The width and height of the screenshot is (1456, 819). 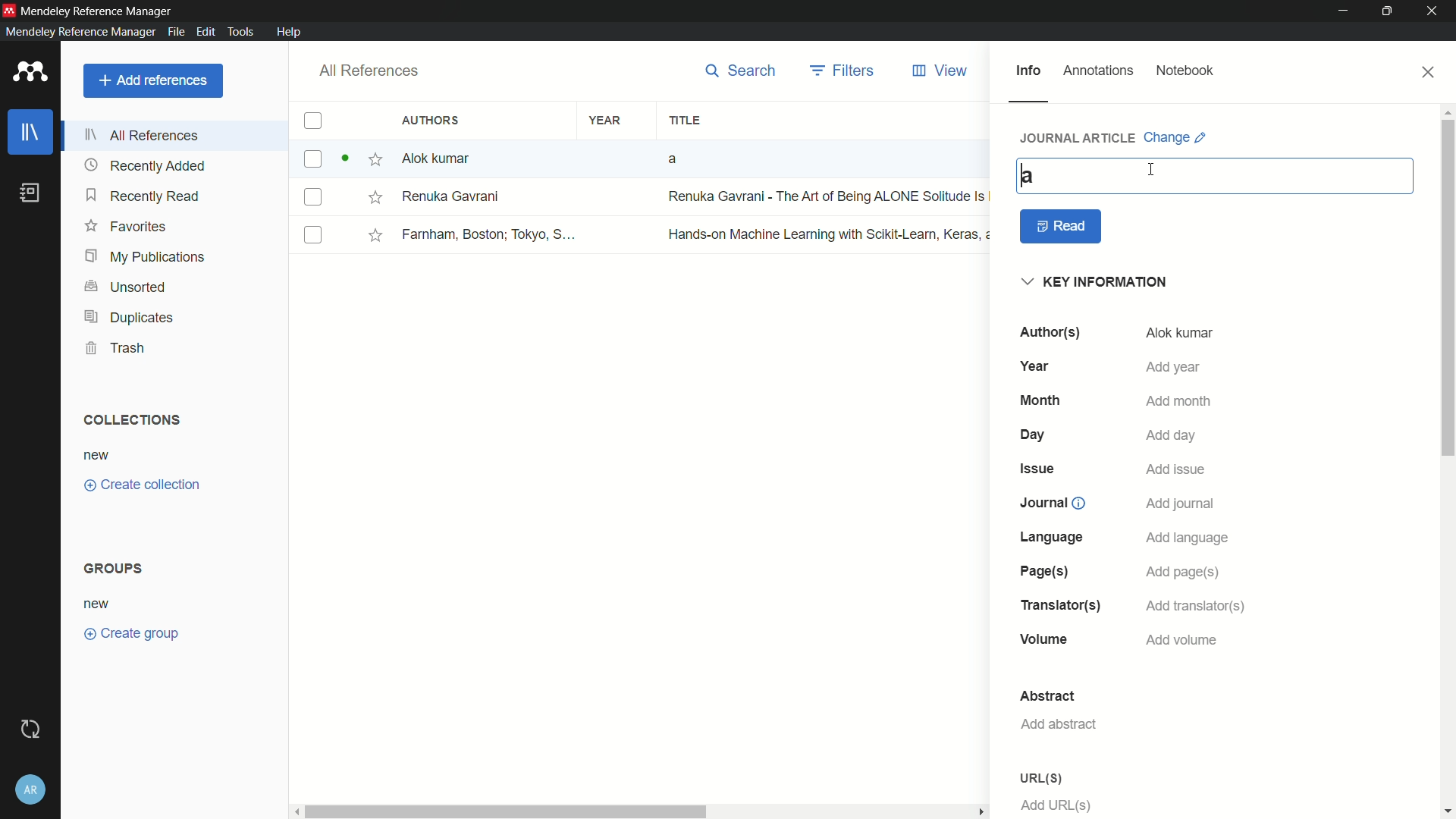 I want to click on add month, so click(x=1179, y=403).